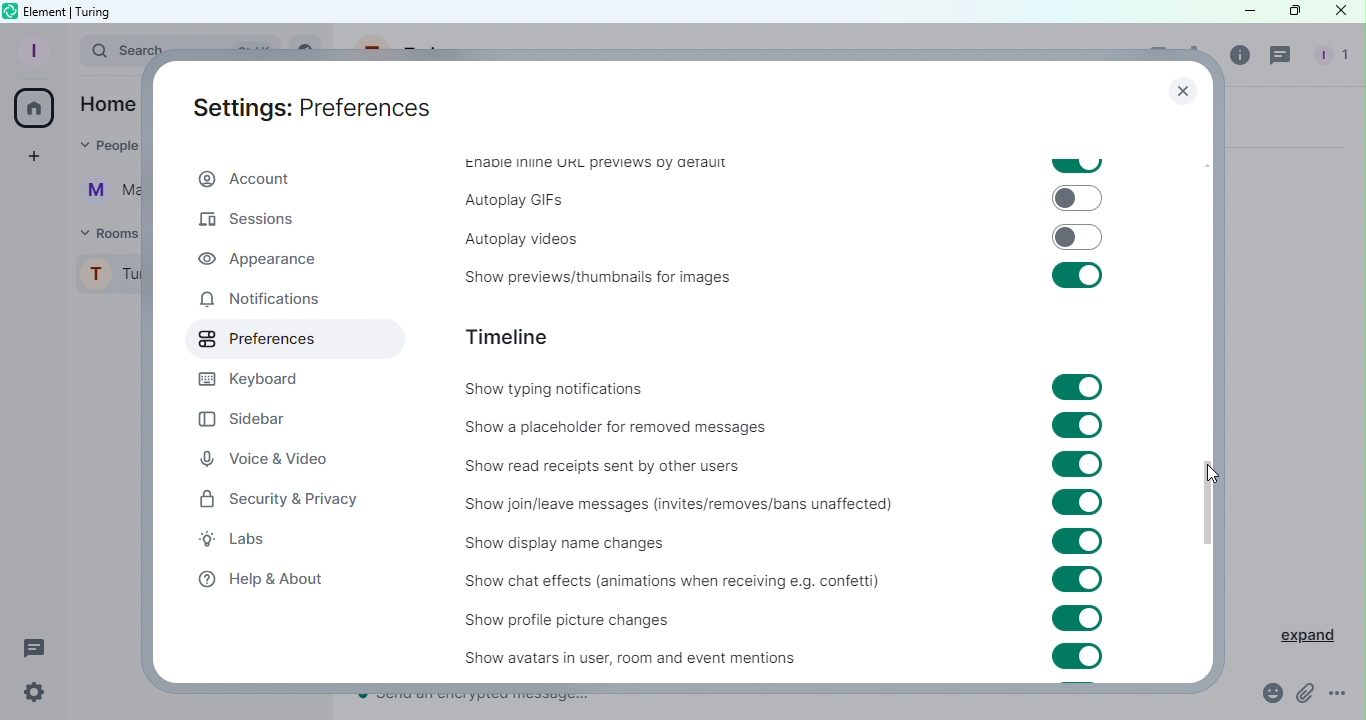 The image size is (1366, 720). What do you see at coordinates (260, 259) in the screenshot?
I see `Appearance` at bounding box center [260, 259].